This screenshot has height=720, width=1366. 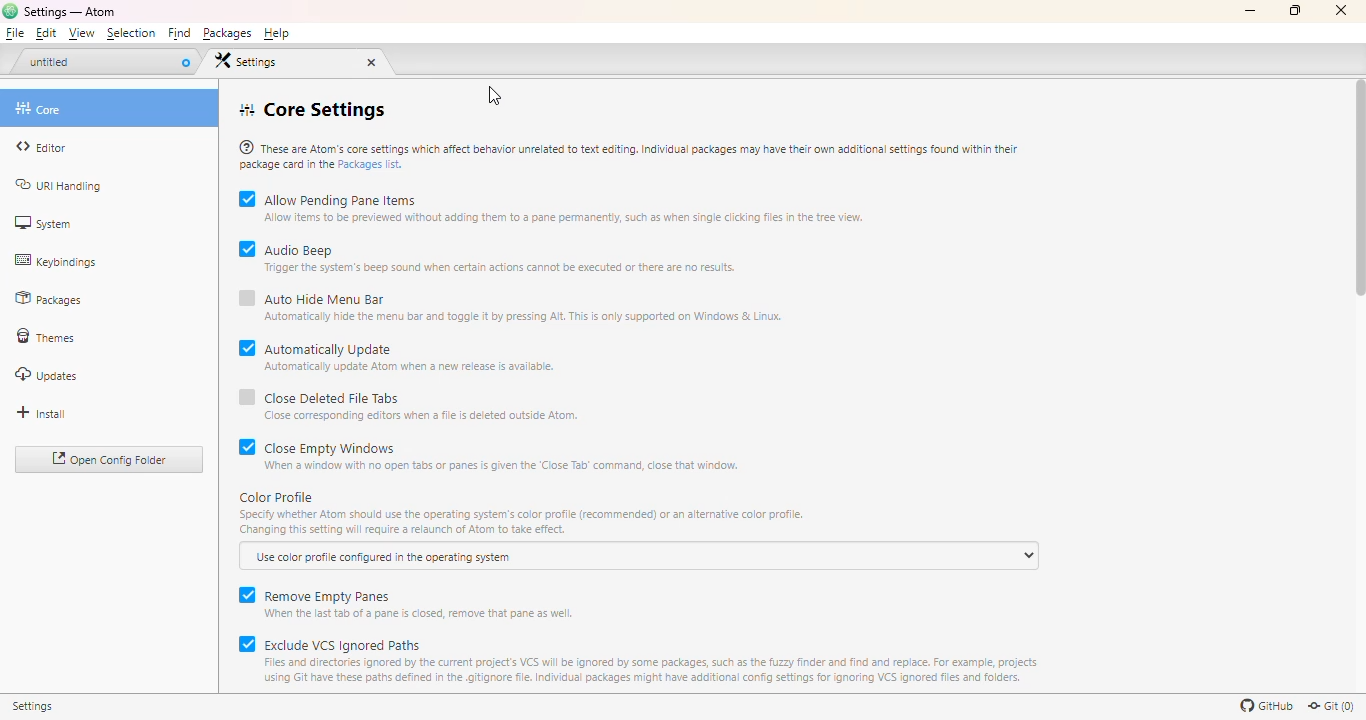 What do you see at coordinates (70, 11) in the screenshot?
I see `title` at bounding box center [70, 11].